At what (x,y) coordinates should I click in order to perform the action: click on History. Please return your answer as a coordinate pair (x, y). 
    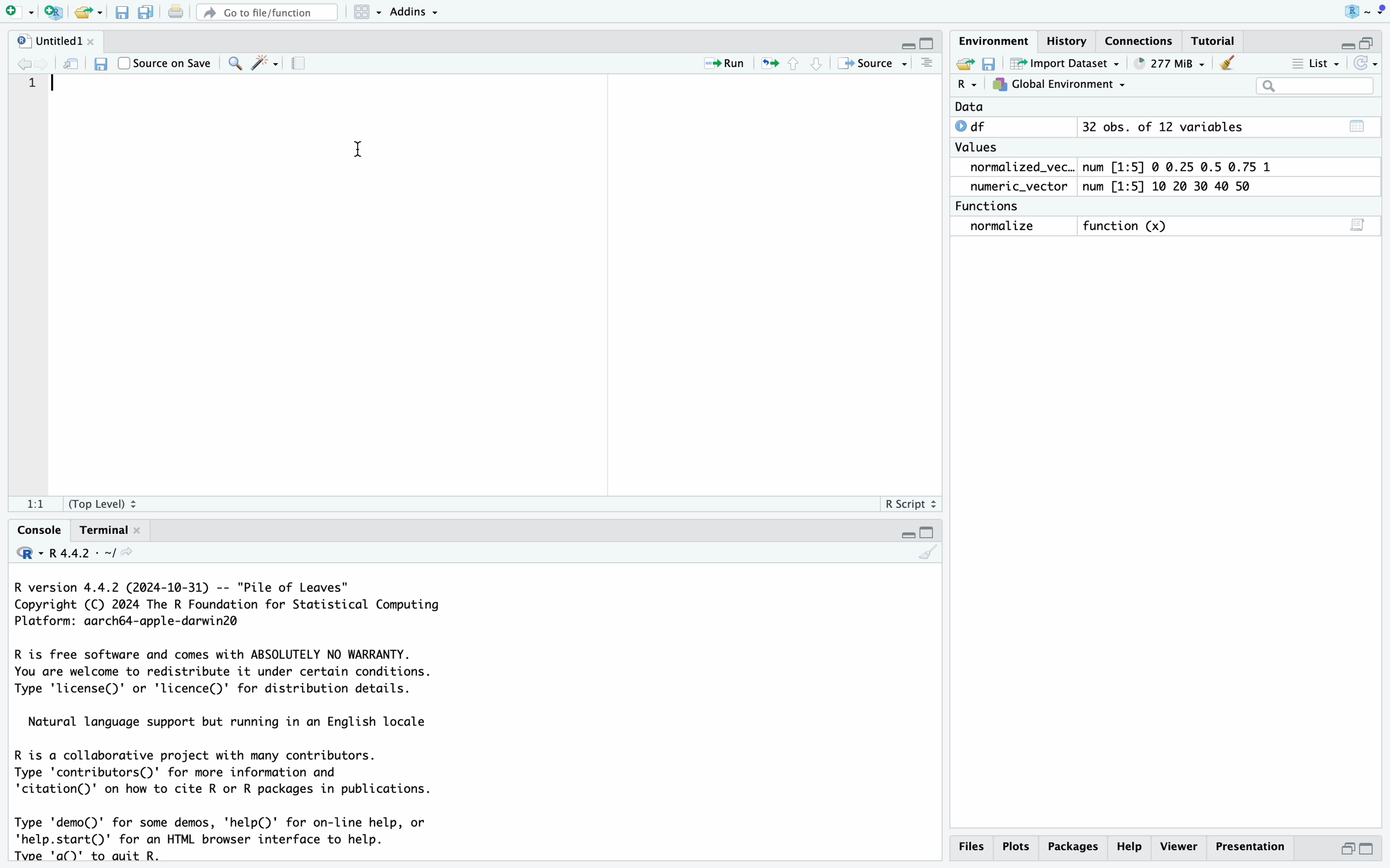
    Looking at the image, I should click on (1068, 40).